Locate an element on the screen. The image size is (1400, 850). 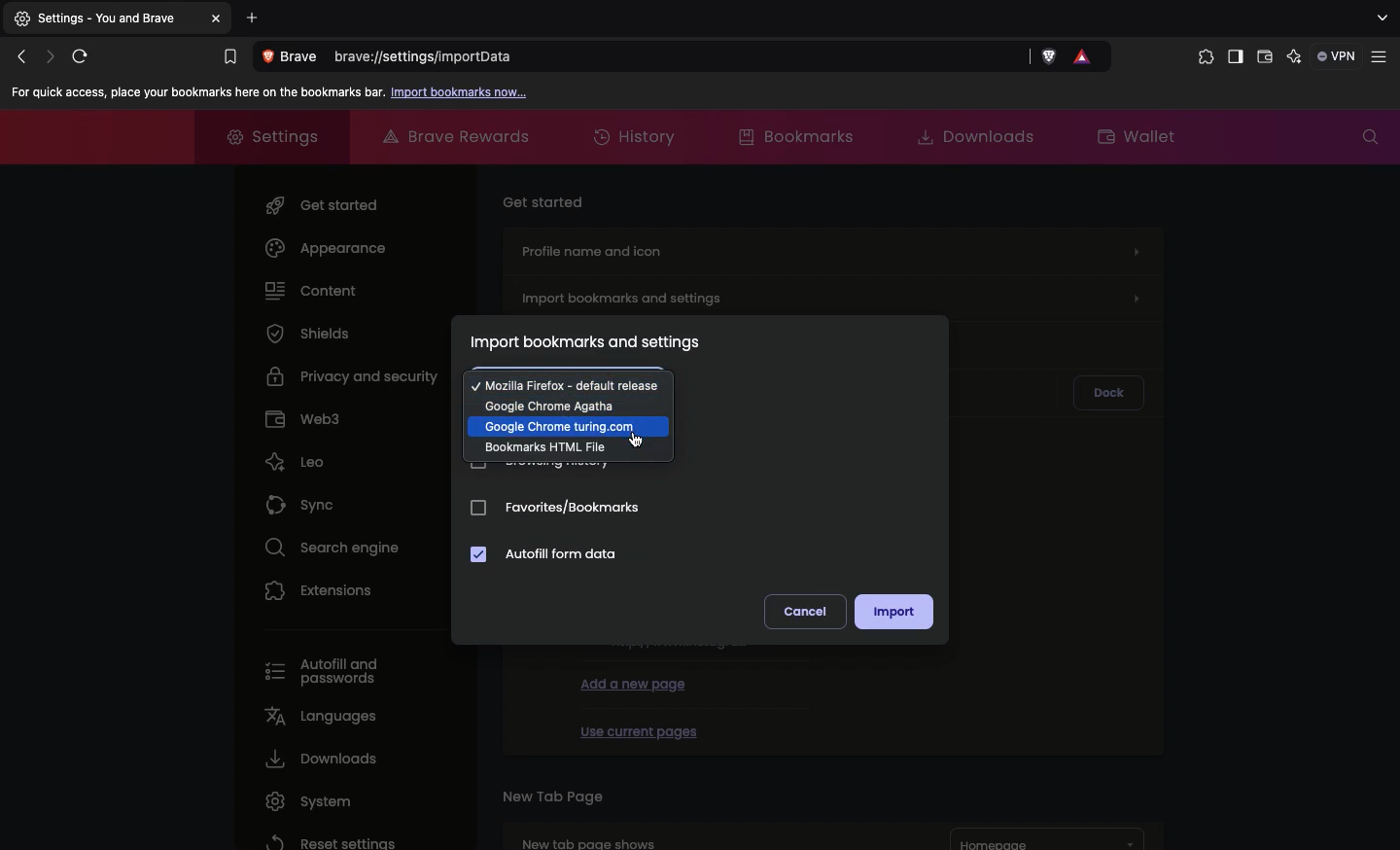
Appearance is located at coordinates (326, 248).